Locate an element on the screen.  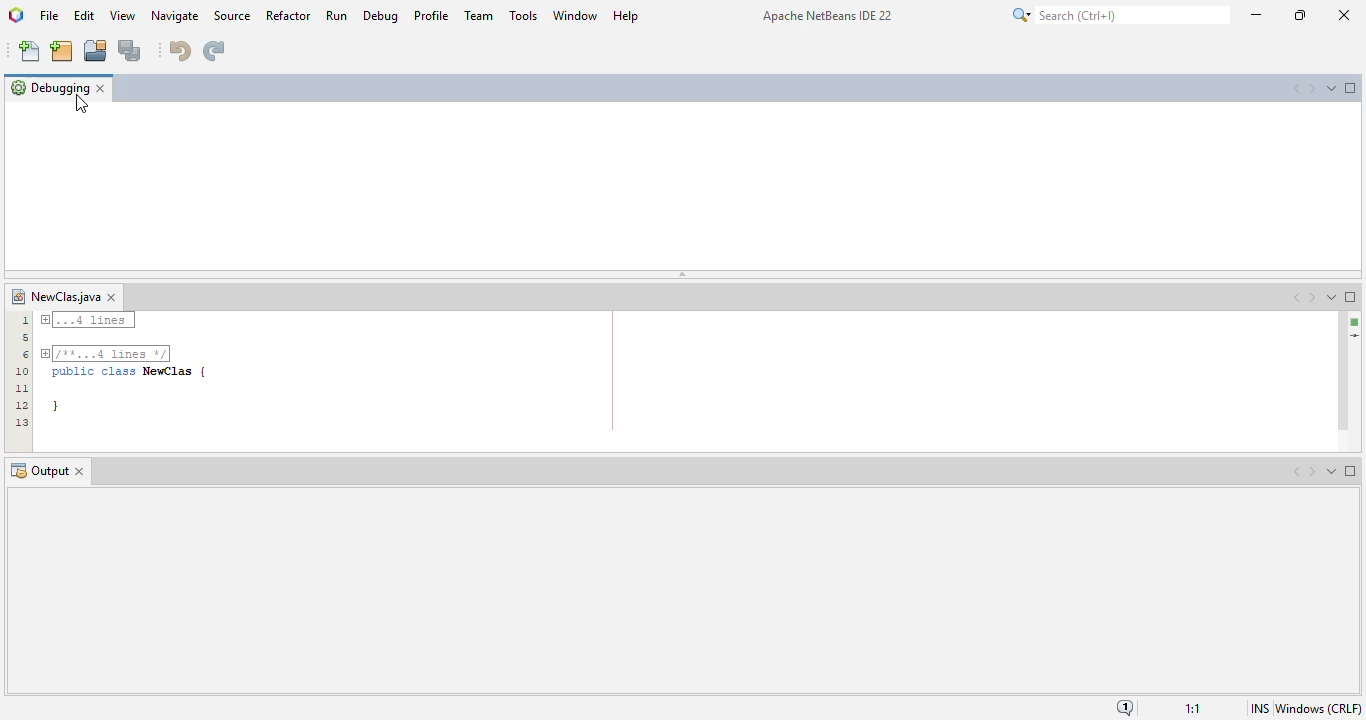
scroll documents right is located at coordinates (1311, 471).